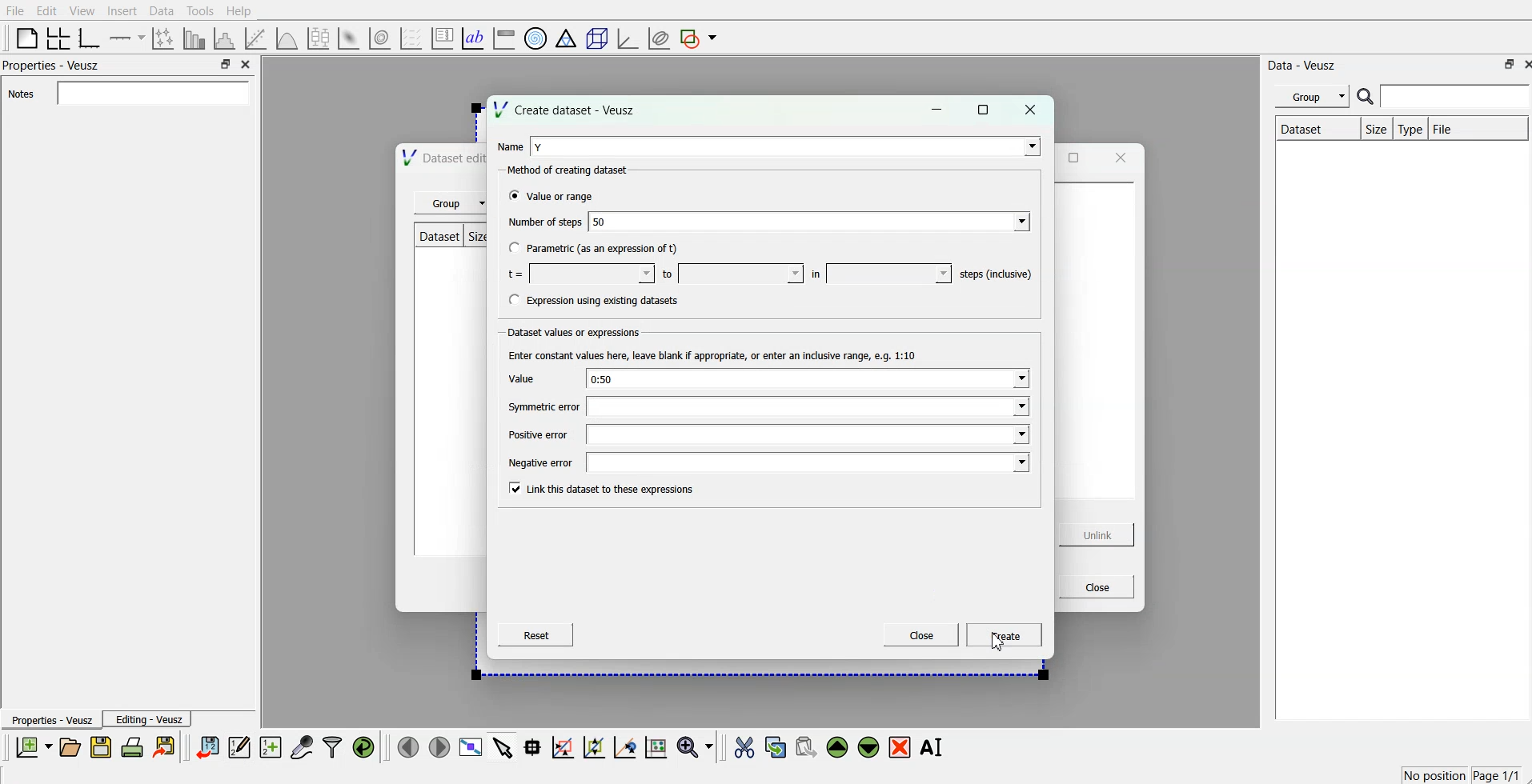 The height and width of the screenshot is (784, 1532). What do you see at coordinates (889, 272) in the screenshot?
I see `t value in ` at bounding box center [889, 272].